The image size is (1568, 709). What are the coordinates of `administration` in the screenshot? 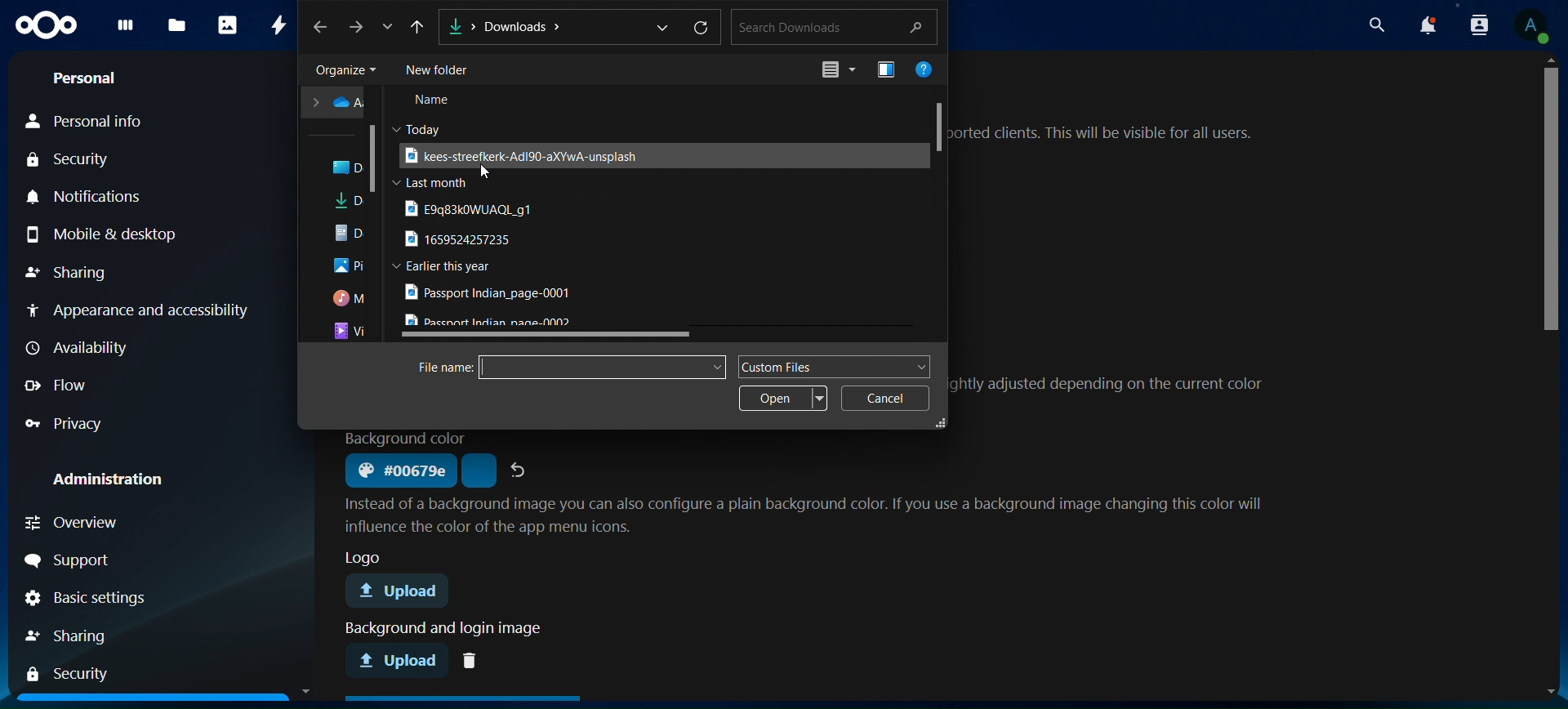 It's located at (120, 474).